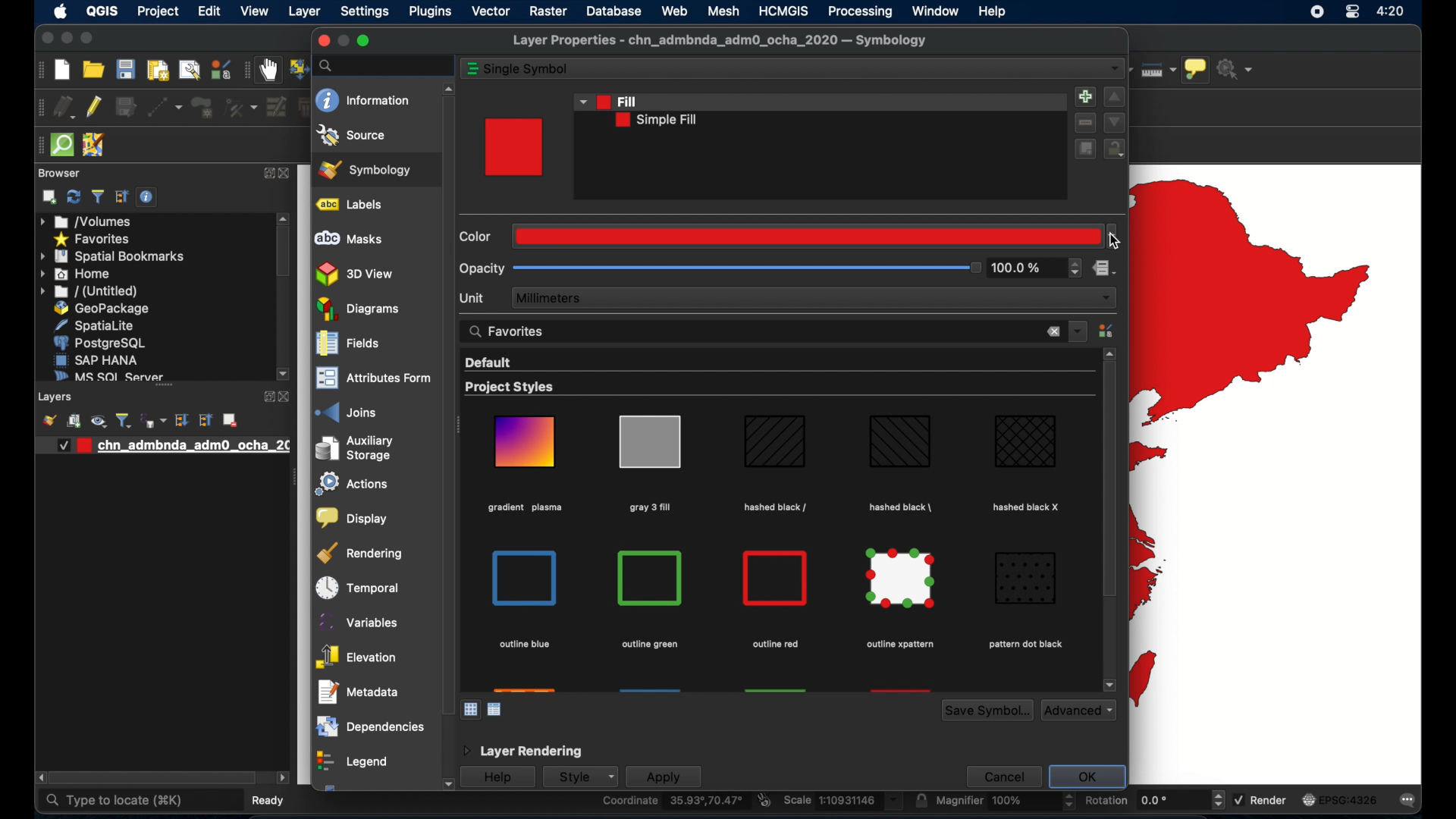  What do you see at coordinates (255, 13) in the screenshot?
I see `view` at bounding box center [255, 13].